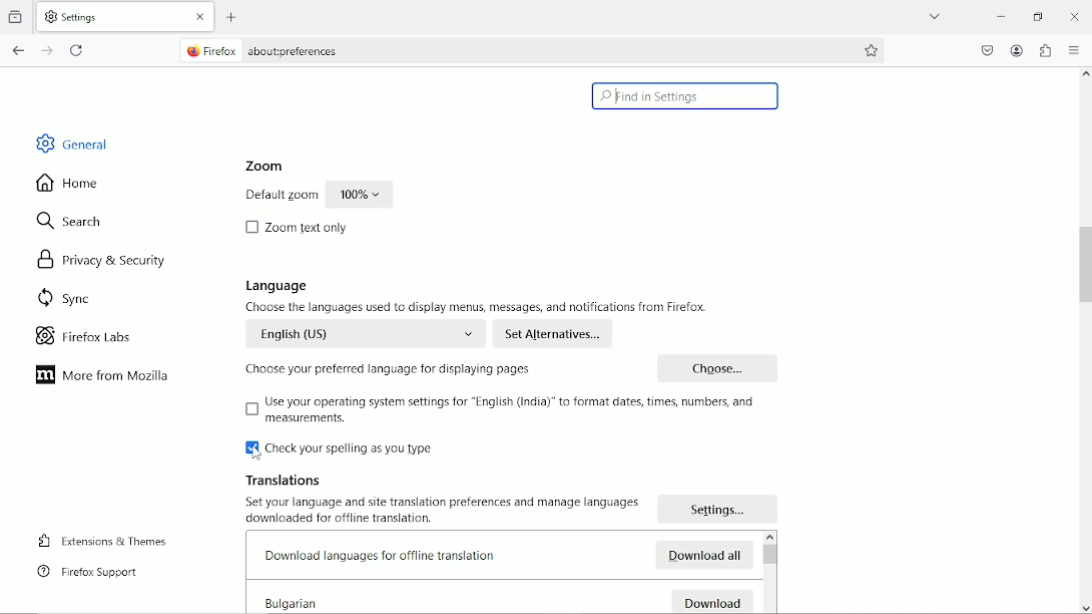  What do you see at coordinates (1074, 16) in the screenshot?
I see `Close` at bounding box center [1074, 16].